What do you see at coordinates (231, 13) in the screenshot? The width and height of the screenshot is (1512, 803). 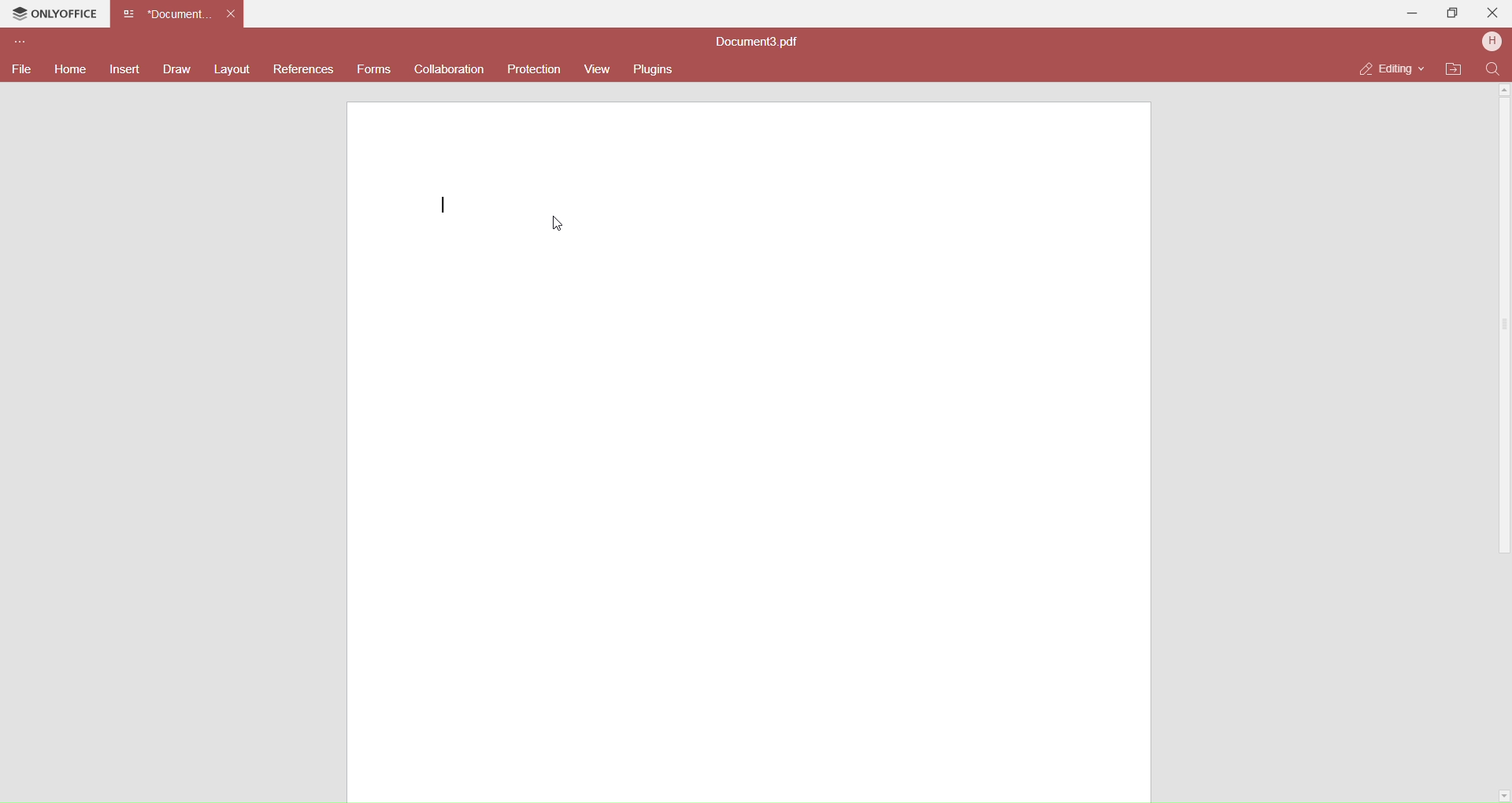 I see `Close Tab` at bounding box center [231, 13].